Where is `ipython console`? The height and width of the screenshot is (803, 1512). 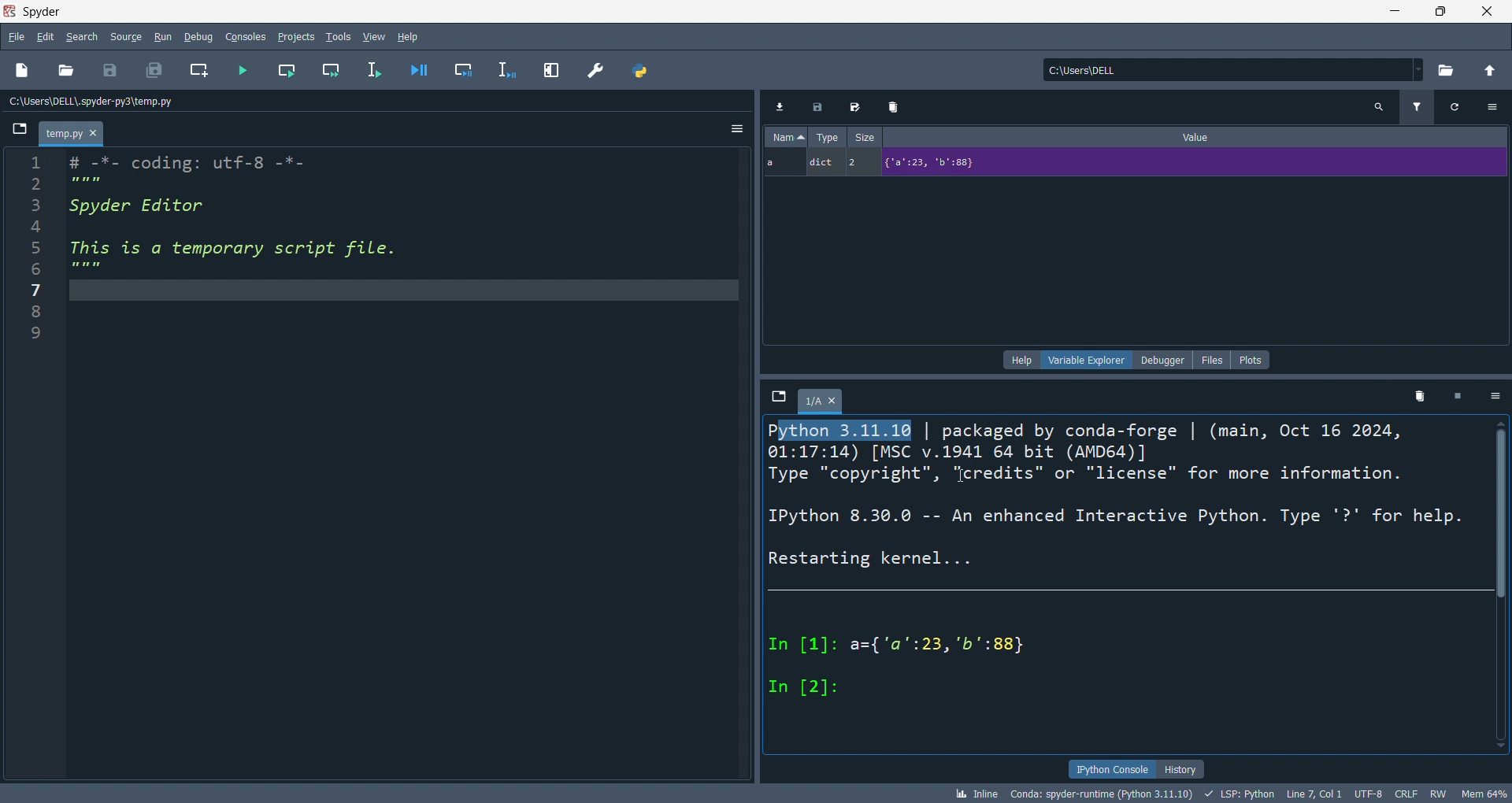
ipython console is located at coordinates (1109, 768).